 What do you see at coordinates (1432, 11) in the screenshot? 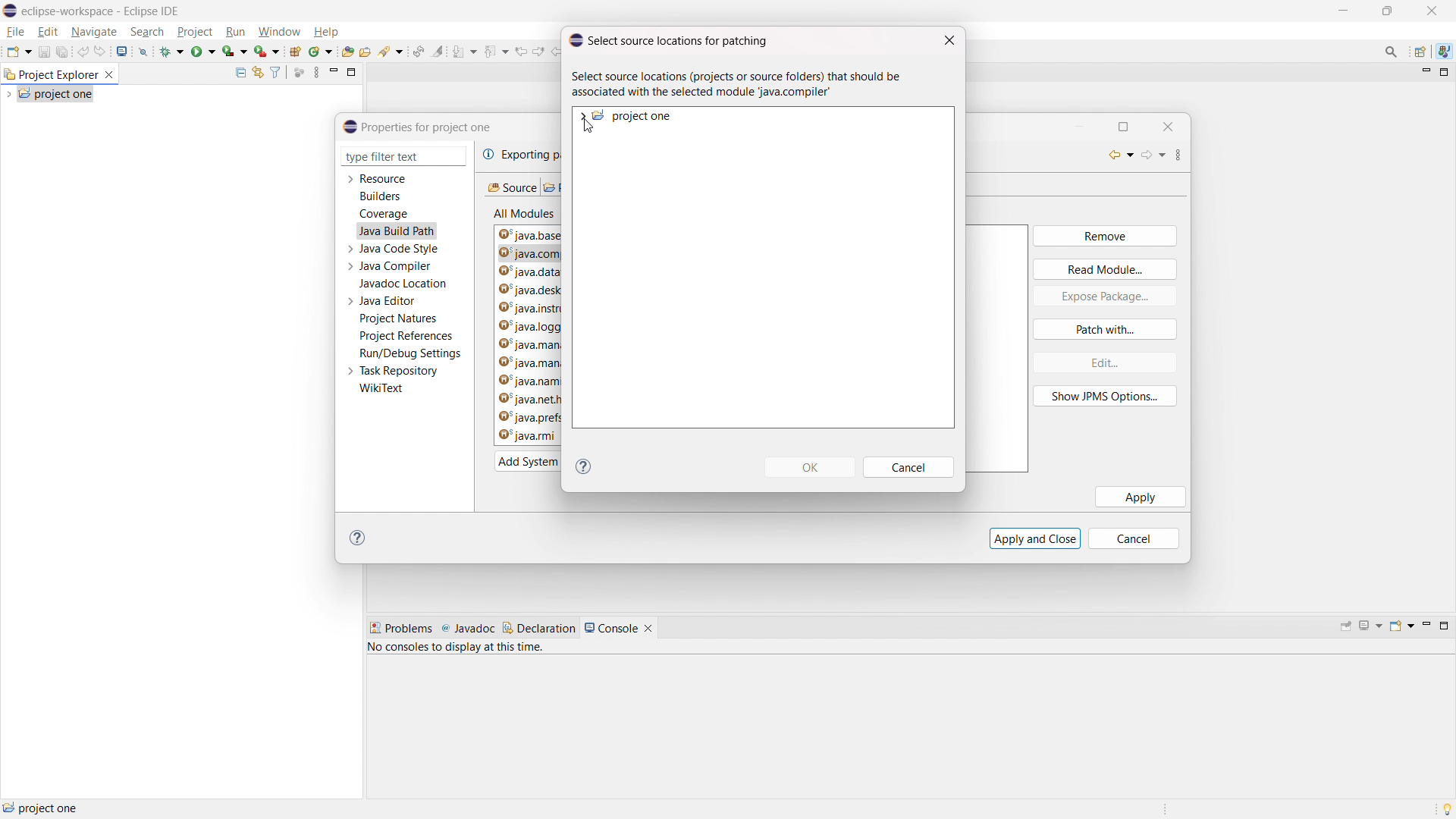
I see `close` at bounding box center [1432, 11].